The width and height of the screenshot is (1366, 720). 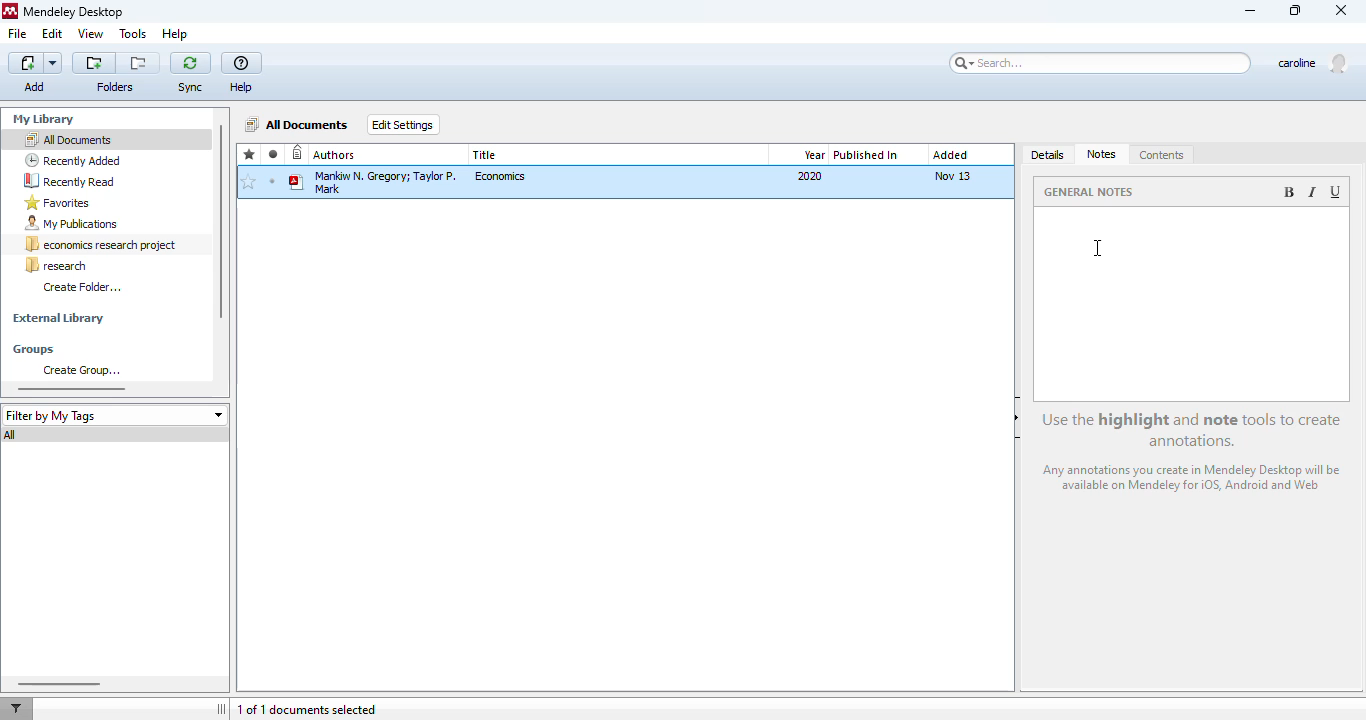 I want to click on my publications, so click(x=72, y=224).